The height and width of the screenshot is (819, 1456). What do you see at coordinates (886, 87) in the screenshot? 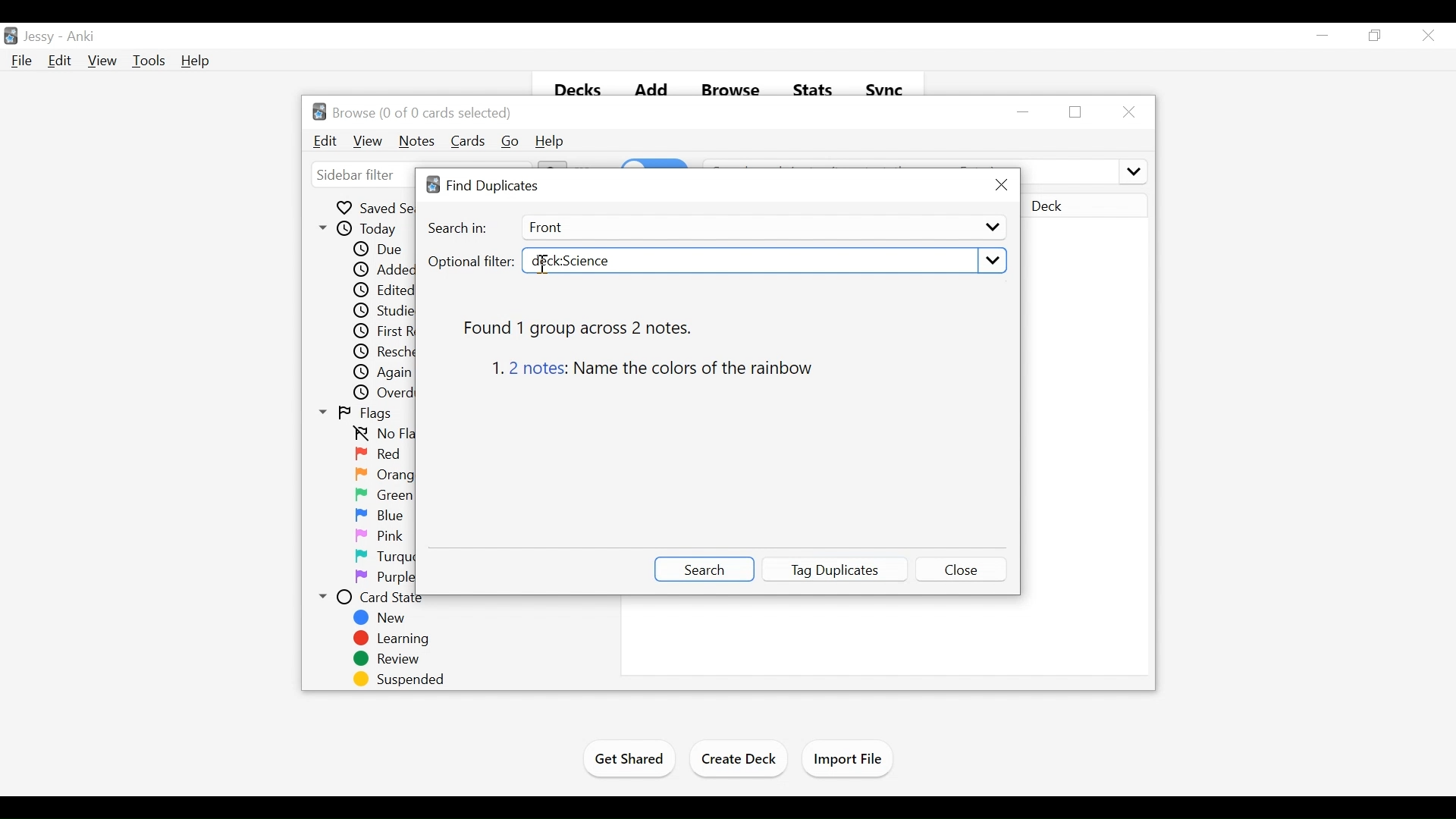
I see `Sync` at bounding box center [886, 87].